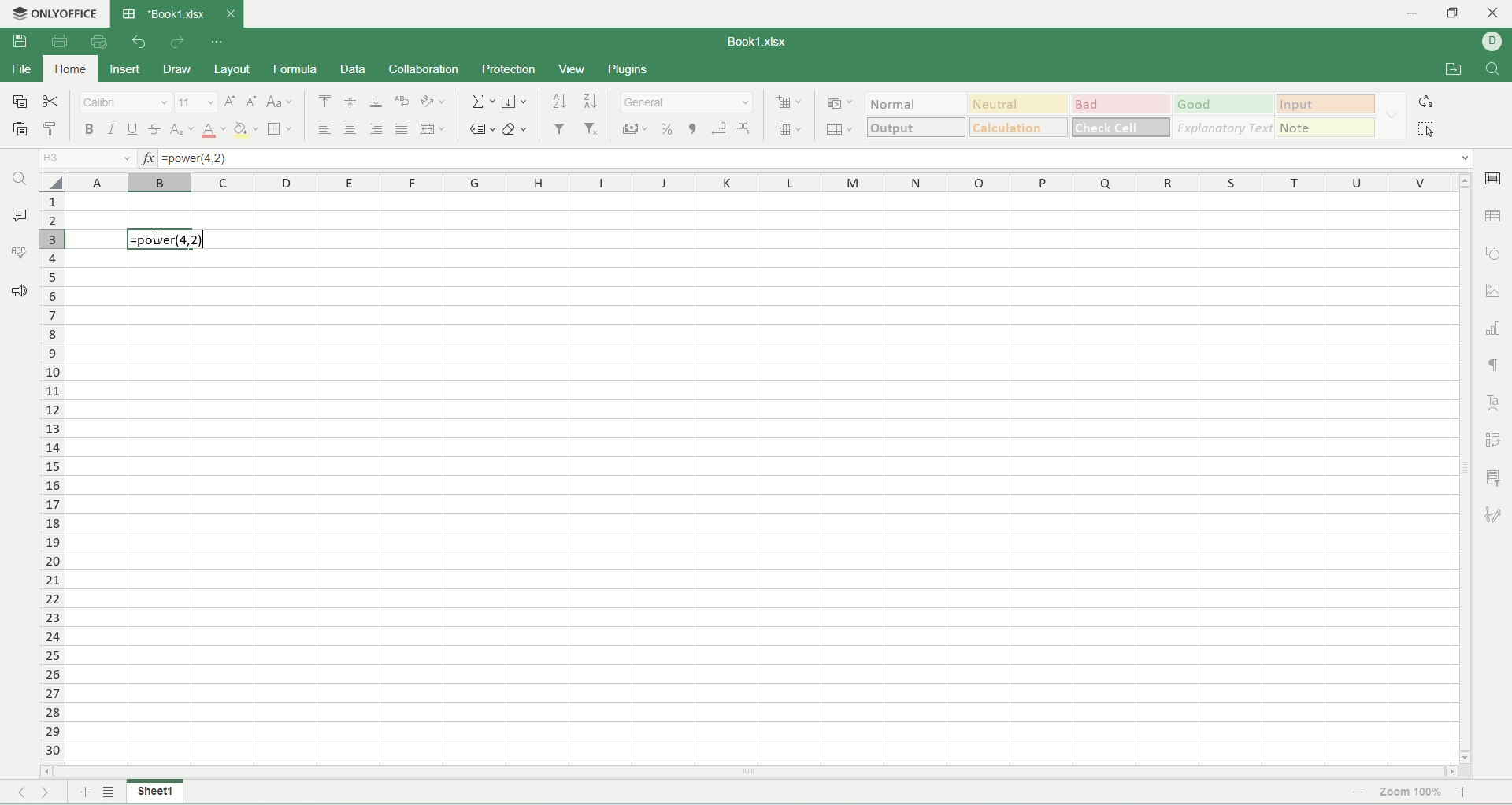 The image size is (1512, 805). What do you see at coordinates (843, 102) in the screenshot?
I see `conditional formatting` at bounding box center [843, 102].